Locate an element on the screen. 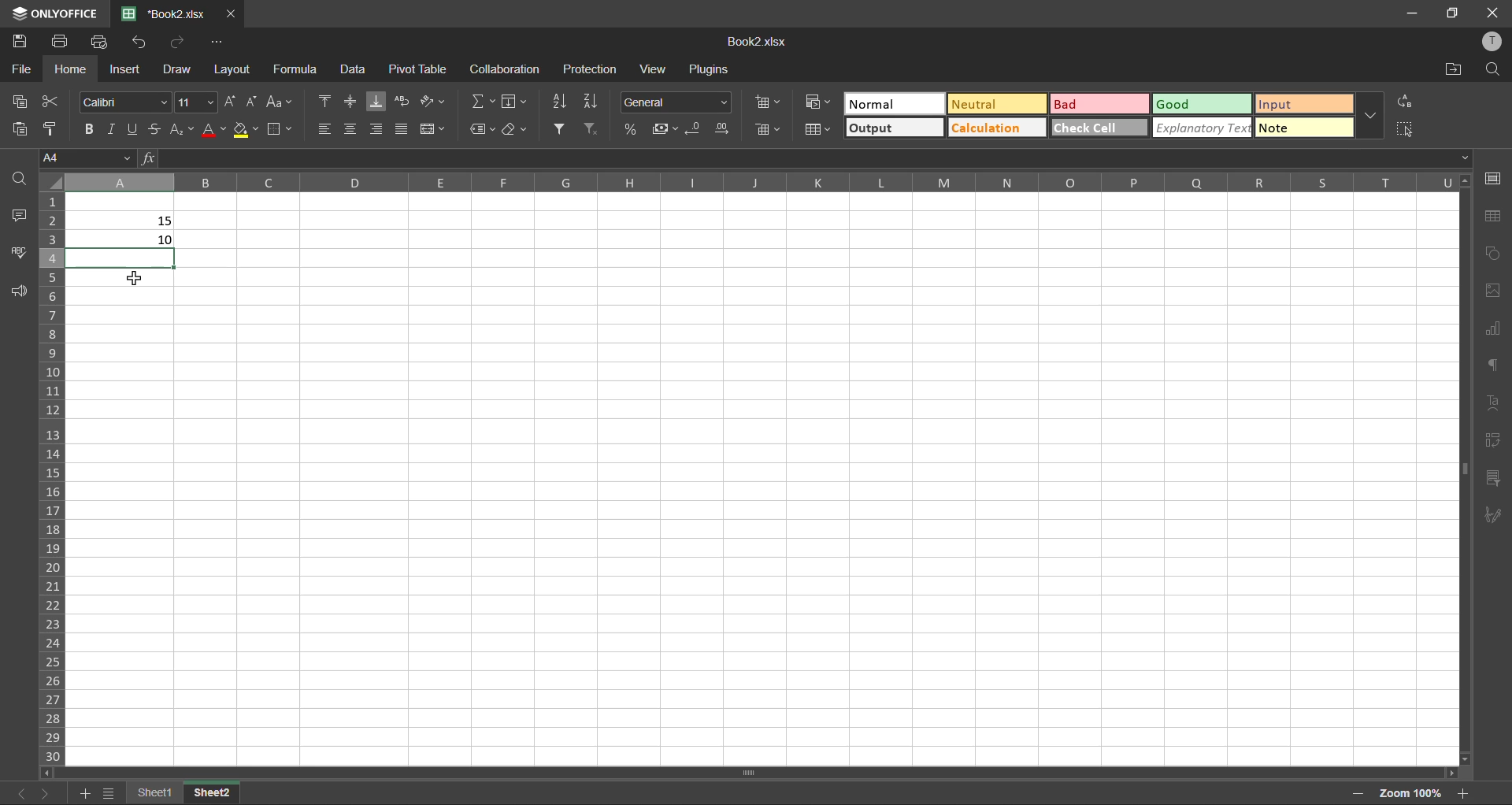 The height and width of the screenshot is (805, 1512). Zoom factor is located at coordinates (1410, 792).